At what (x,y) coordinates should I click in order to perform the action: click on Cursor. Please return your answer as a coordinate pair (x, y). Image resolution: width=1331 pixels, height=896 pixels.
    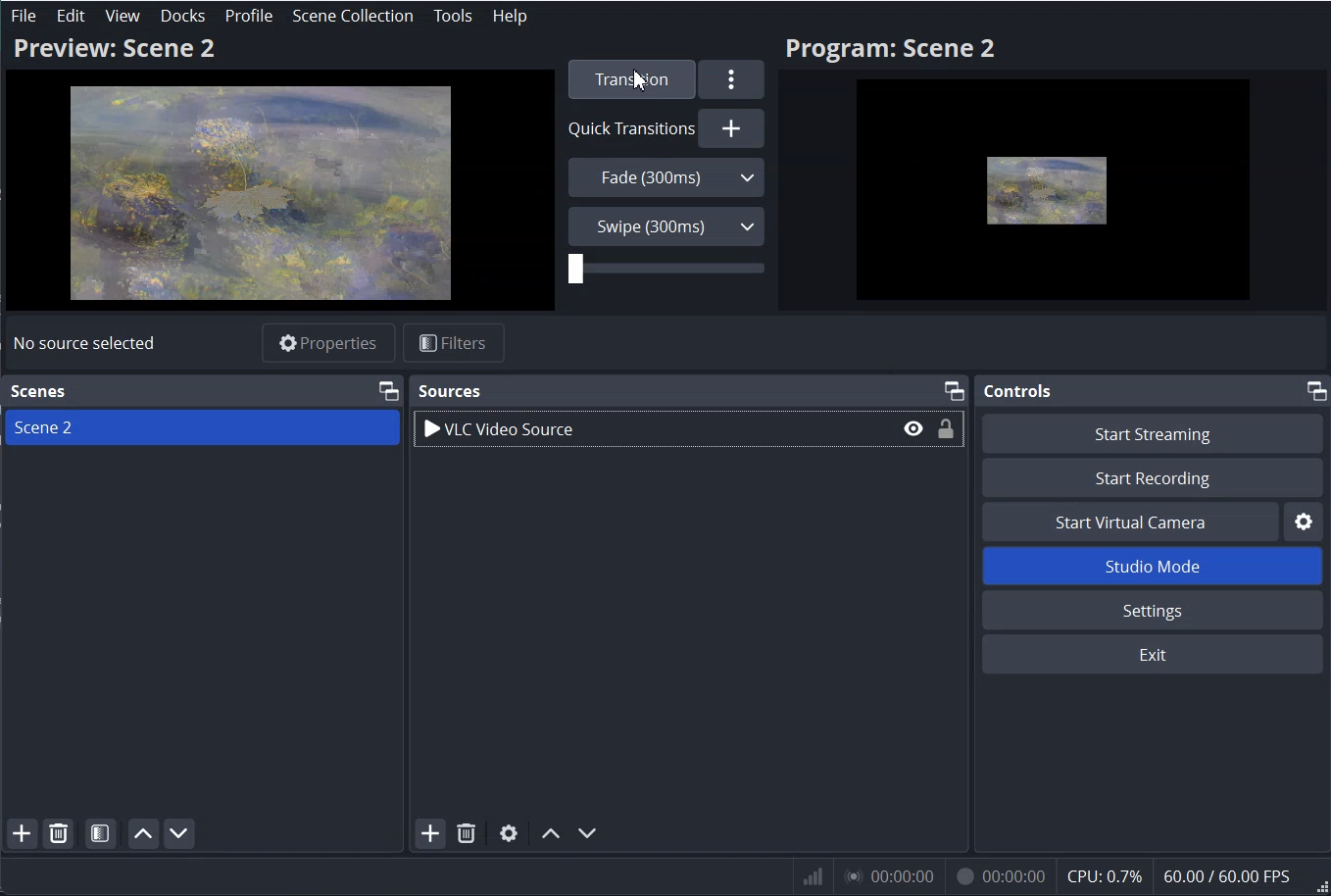
    Looking at the image, I should click on (643, 80).